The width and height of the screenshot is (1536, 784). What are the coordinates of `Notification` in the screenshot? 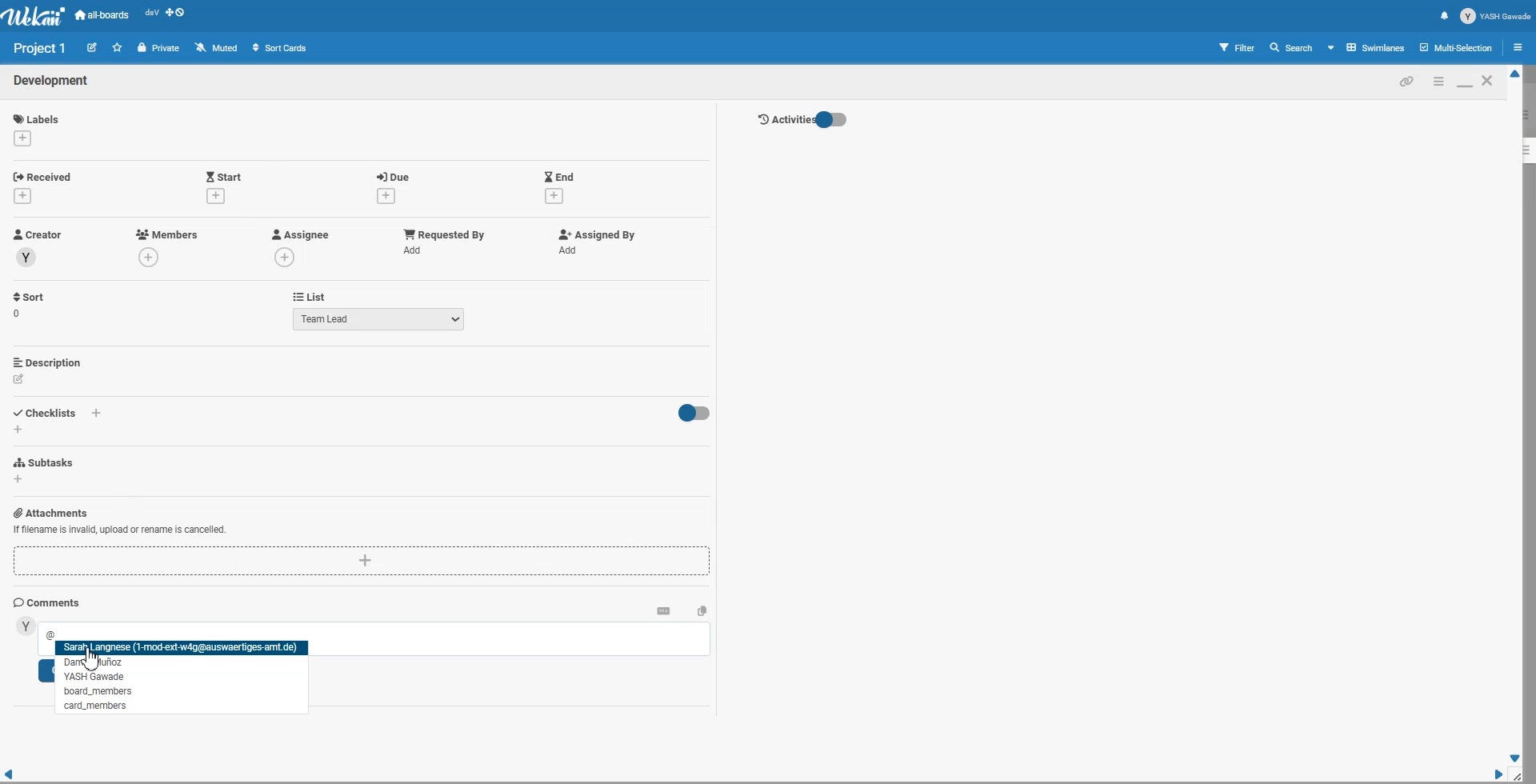 It's located at (1444, 15).